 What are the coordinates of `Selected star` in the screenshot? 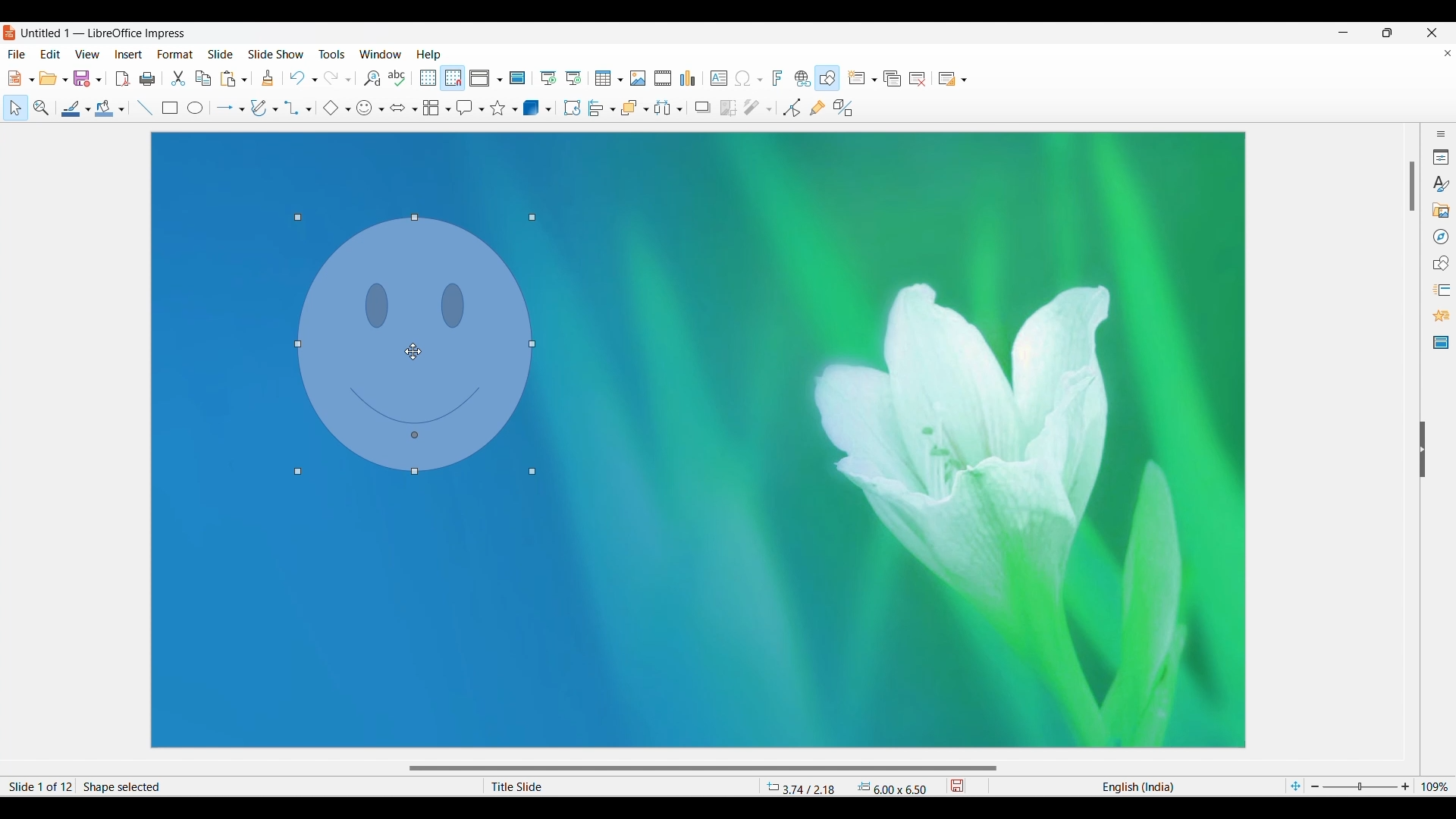 It's located at (498, 108).